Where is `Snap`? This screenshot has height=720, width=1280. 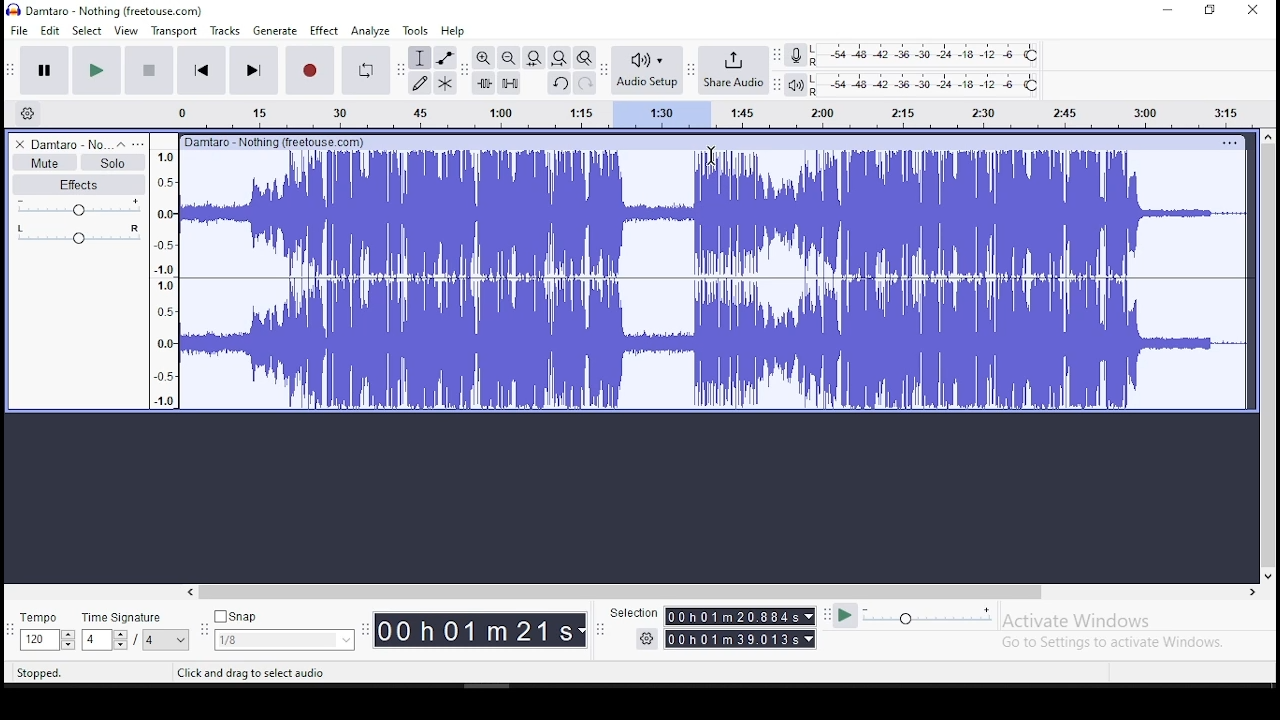
Snap is located at coordinates (284, 617).